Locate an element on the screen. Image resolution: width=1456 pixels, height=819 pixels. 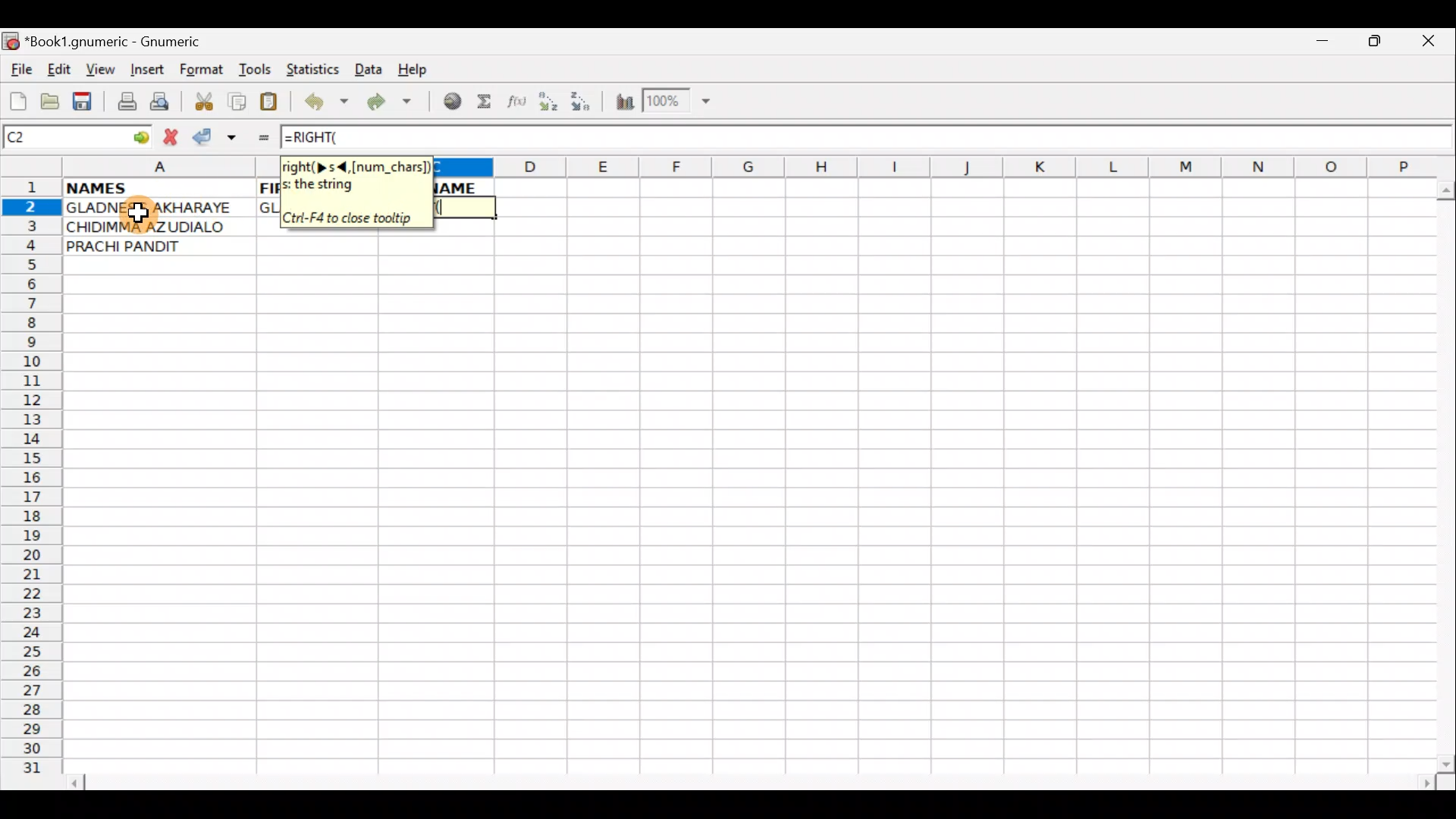
Edit is located at coordinates (58, 69).